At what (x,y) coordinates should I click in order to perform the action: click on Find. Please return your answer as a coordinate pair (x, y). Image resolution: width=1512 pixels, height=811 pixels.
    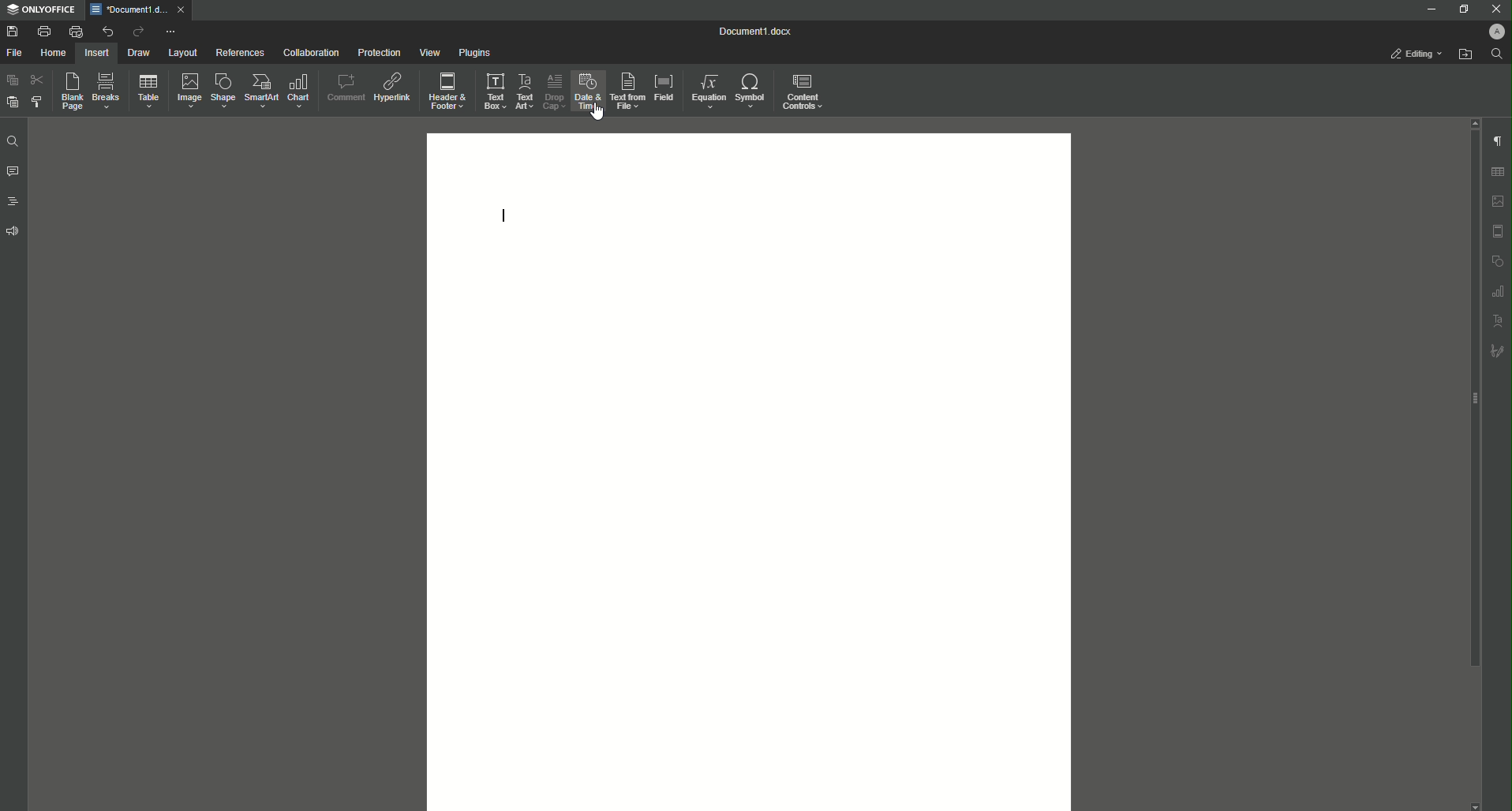
    Looking at the image, I should click on (12, 141).